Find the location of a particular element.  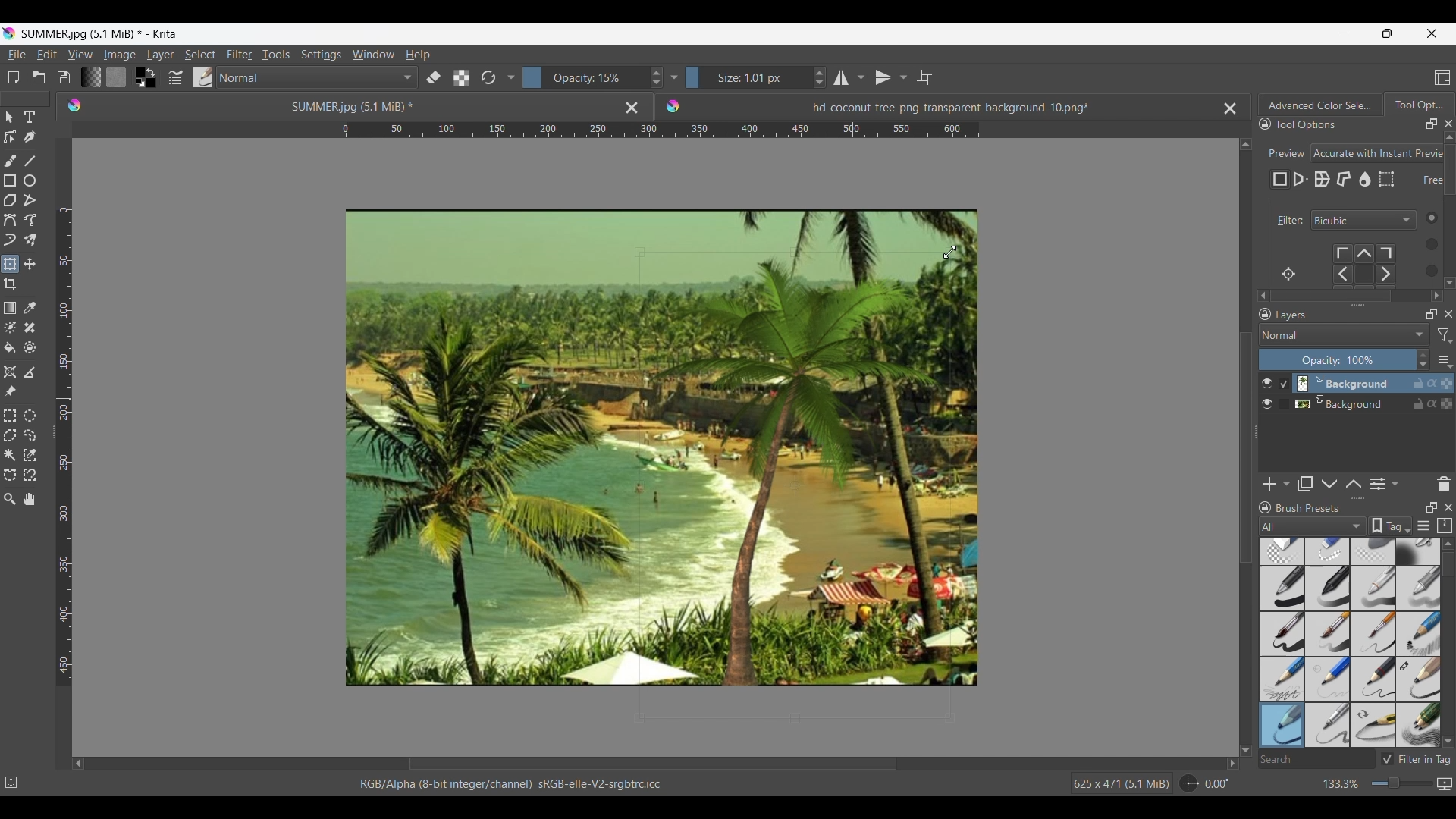

Background/Foreground color selector is located at coordinates (145, 77).